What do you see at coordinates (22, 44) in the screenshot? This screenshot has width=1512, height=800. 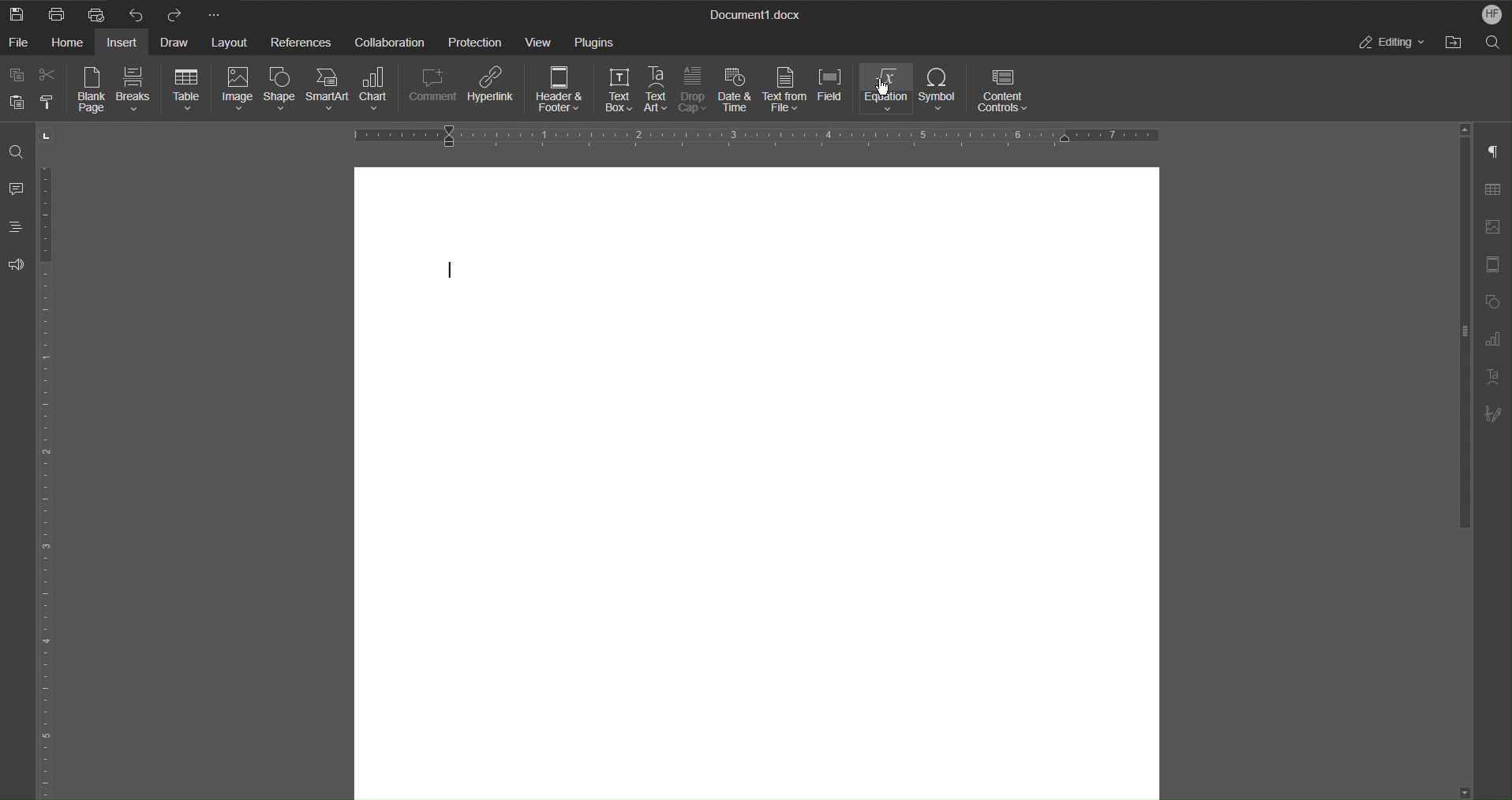 I see `File` at bounding box center [22, 44].